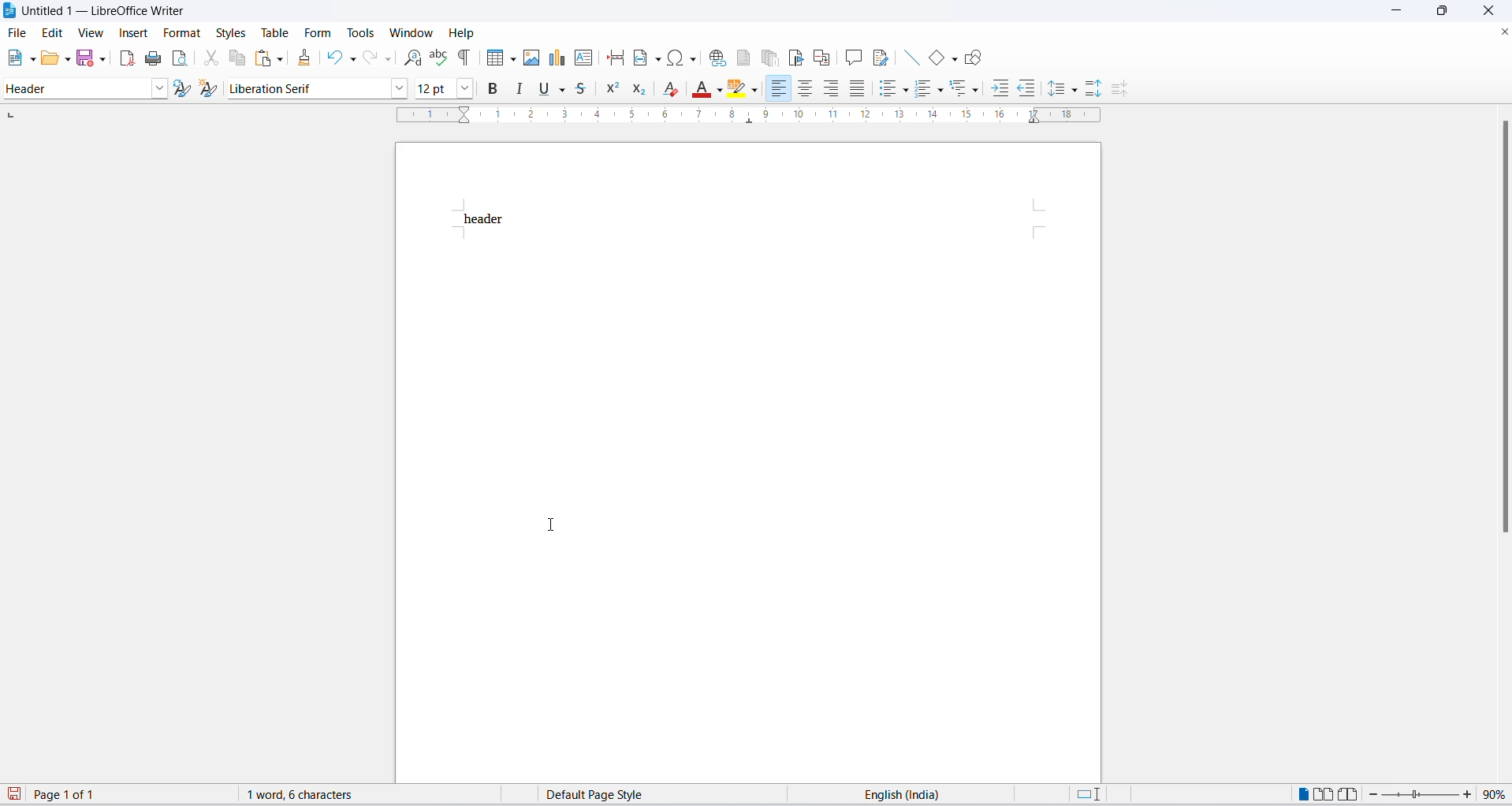 Image resolution: width=1512 pixels, height=806 pixels. Describe the element at coordinates (780, 88) in the screenshot. I see `text align left` at that location.